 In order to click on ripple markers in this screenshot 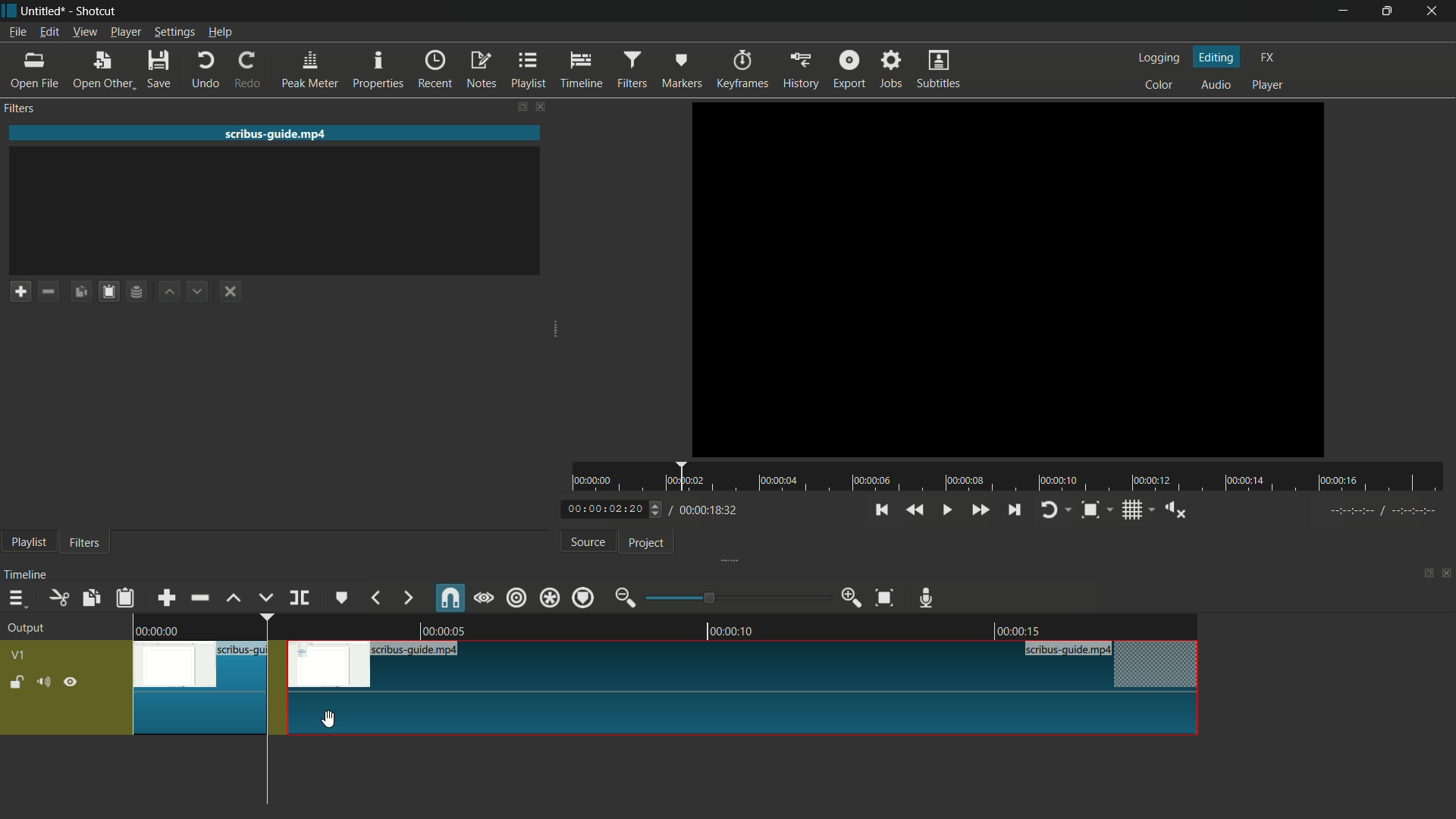, I will do `click(584, 597)`.